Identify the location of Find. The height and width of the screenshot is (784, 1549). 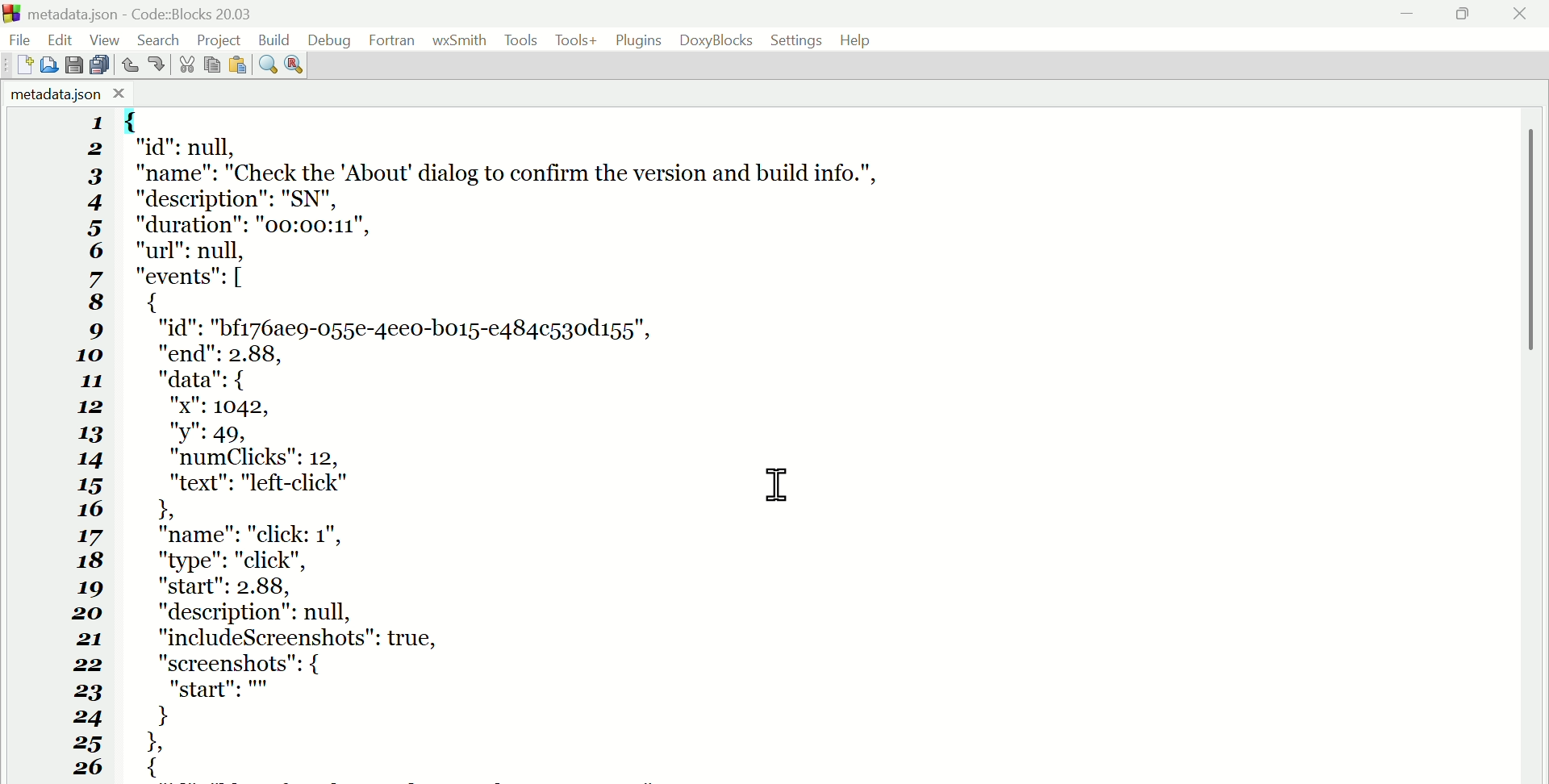
(267, 67).